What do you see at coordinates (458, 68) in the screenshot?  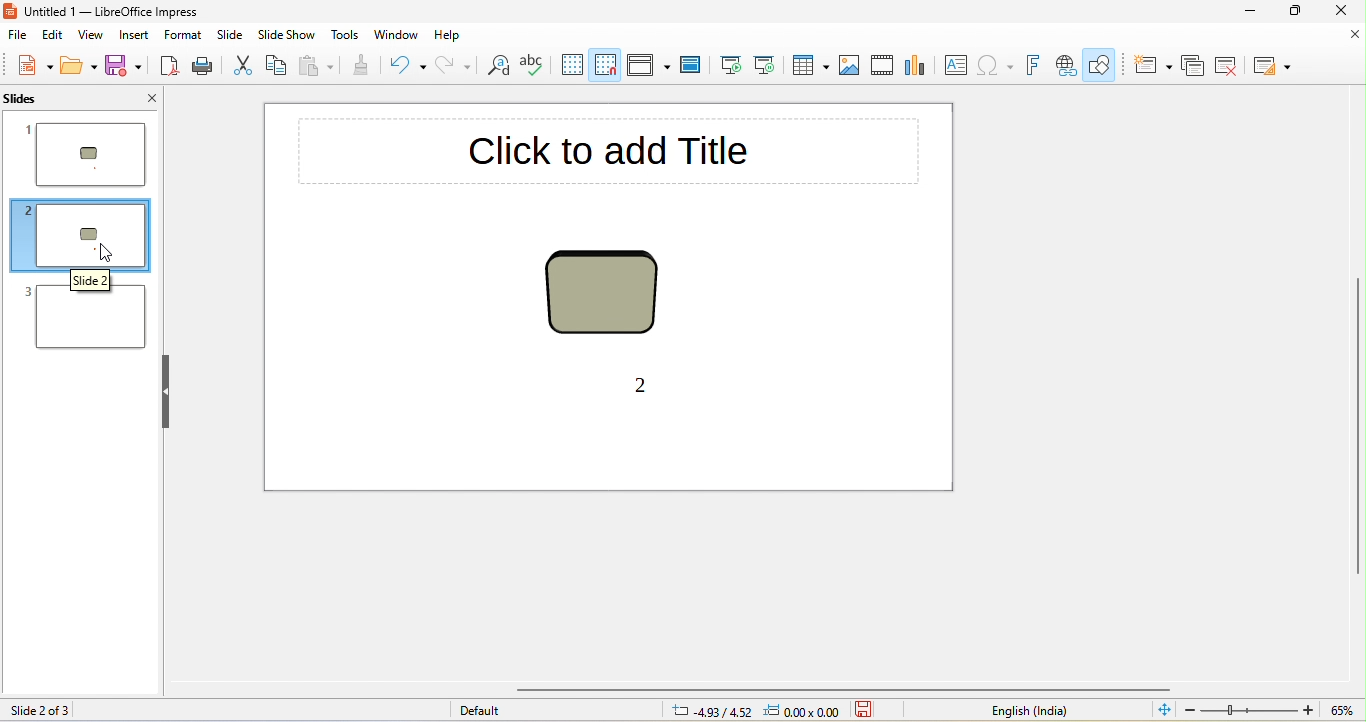 I see `redo` at bounding box center [458, 68].